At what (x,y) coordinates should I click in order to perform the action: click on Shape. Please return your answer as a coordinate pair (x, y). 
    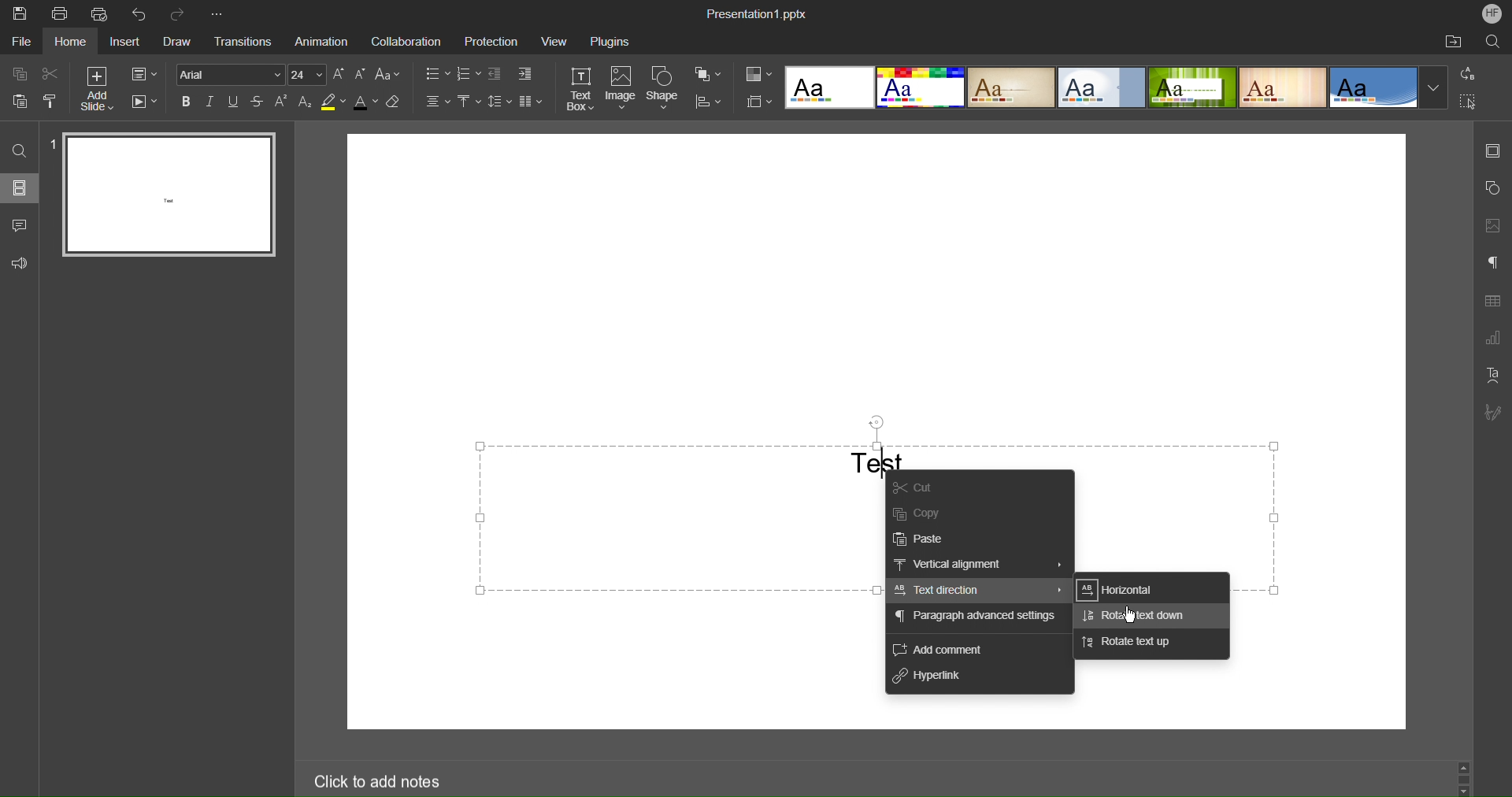
    Looking at the image, I should click on (665, 87).